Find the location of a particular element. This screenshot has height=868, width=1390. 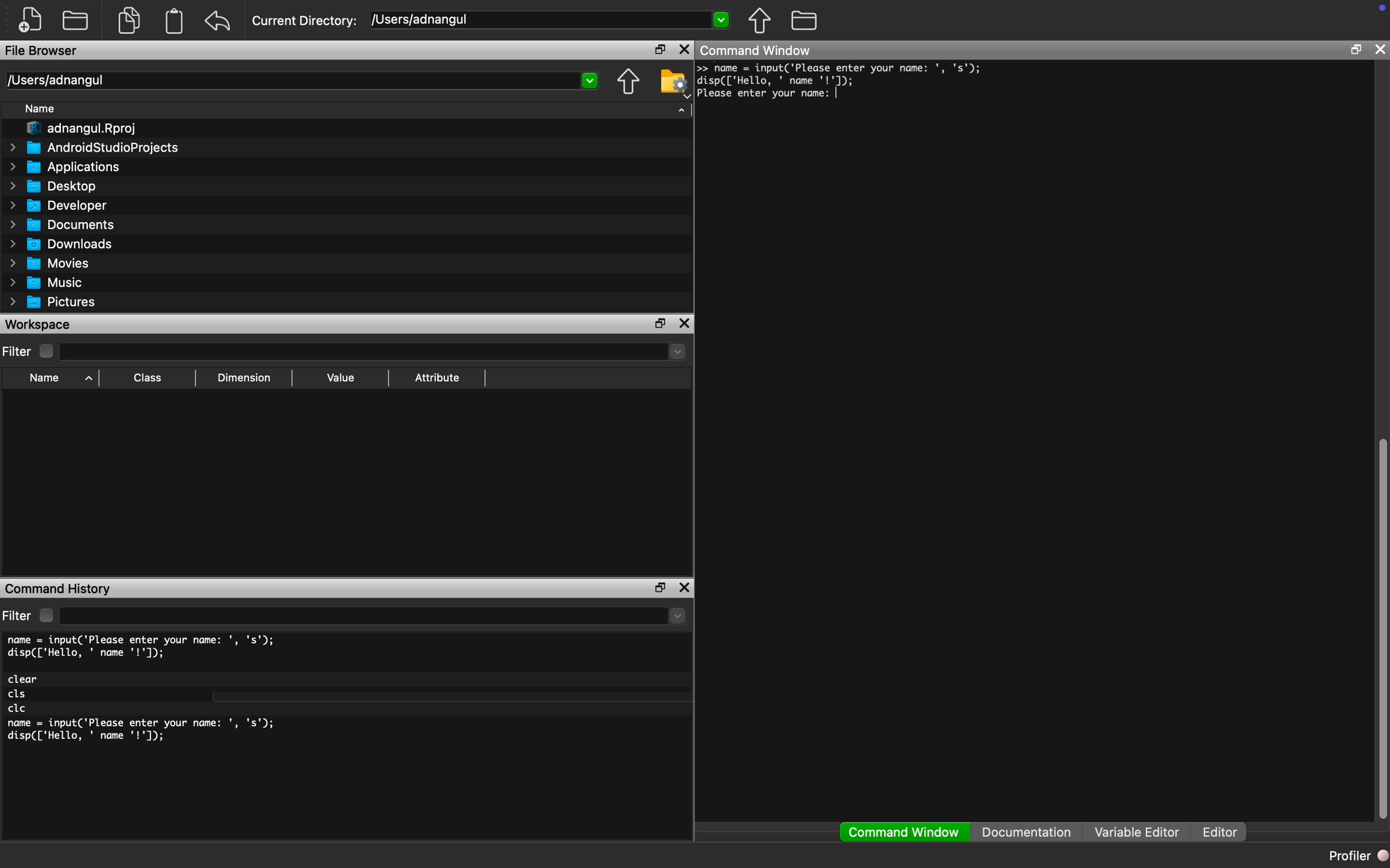

Attribute is located at coordinates (437, 377).